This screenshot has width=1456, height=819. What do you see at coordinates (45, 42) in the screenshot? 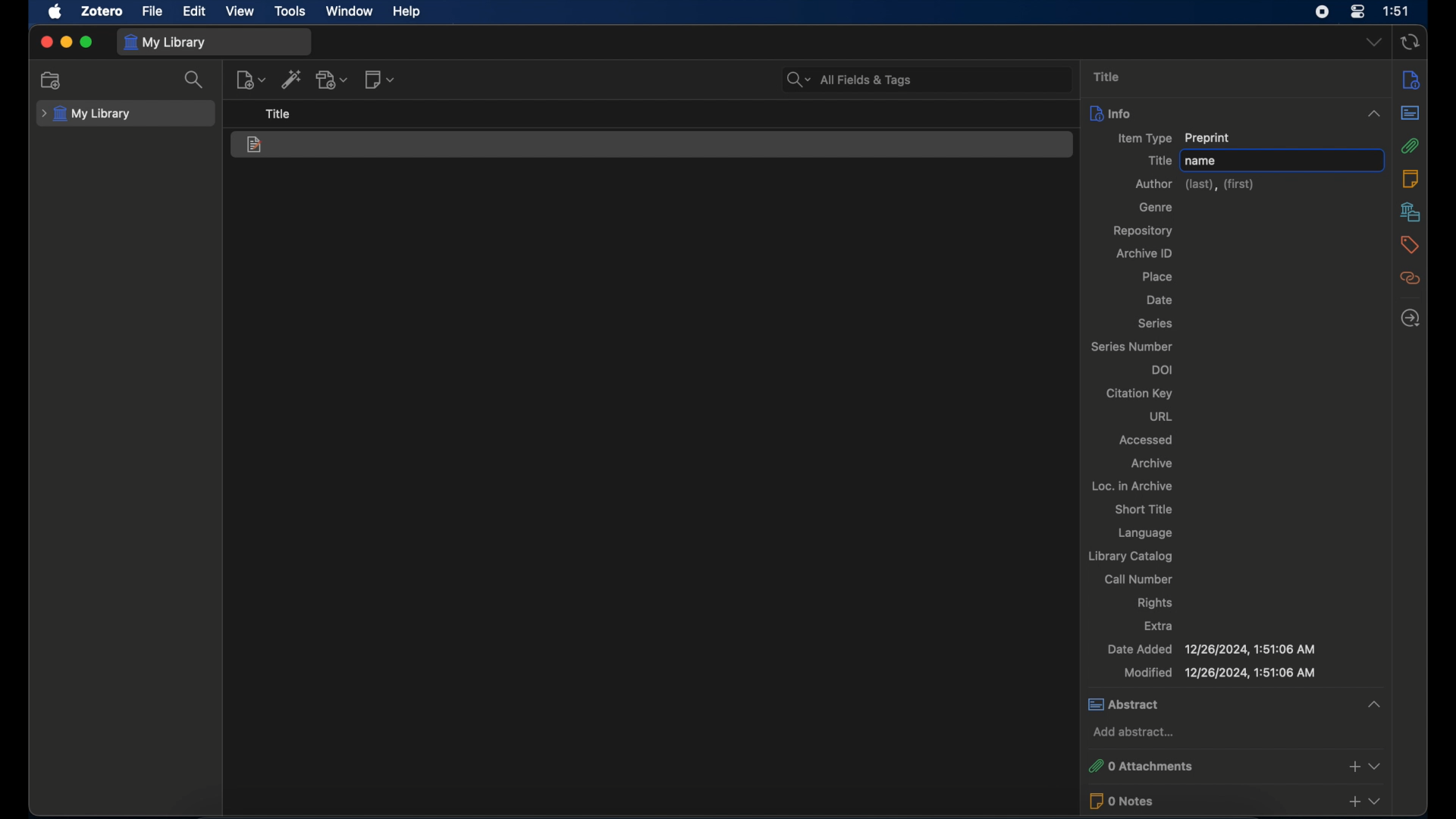
I see `close` at bounding box center [45, 42].